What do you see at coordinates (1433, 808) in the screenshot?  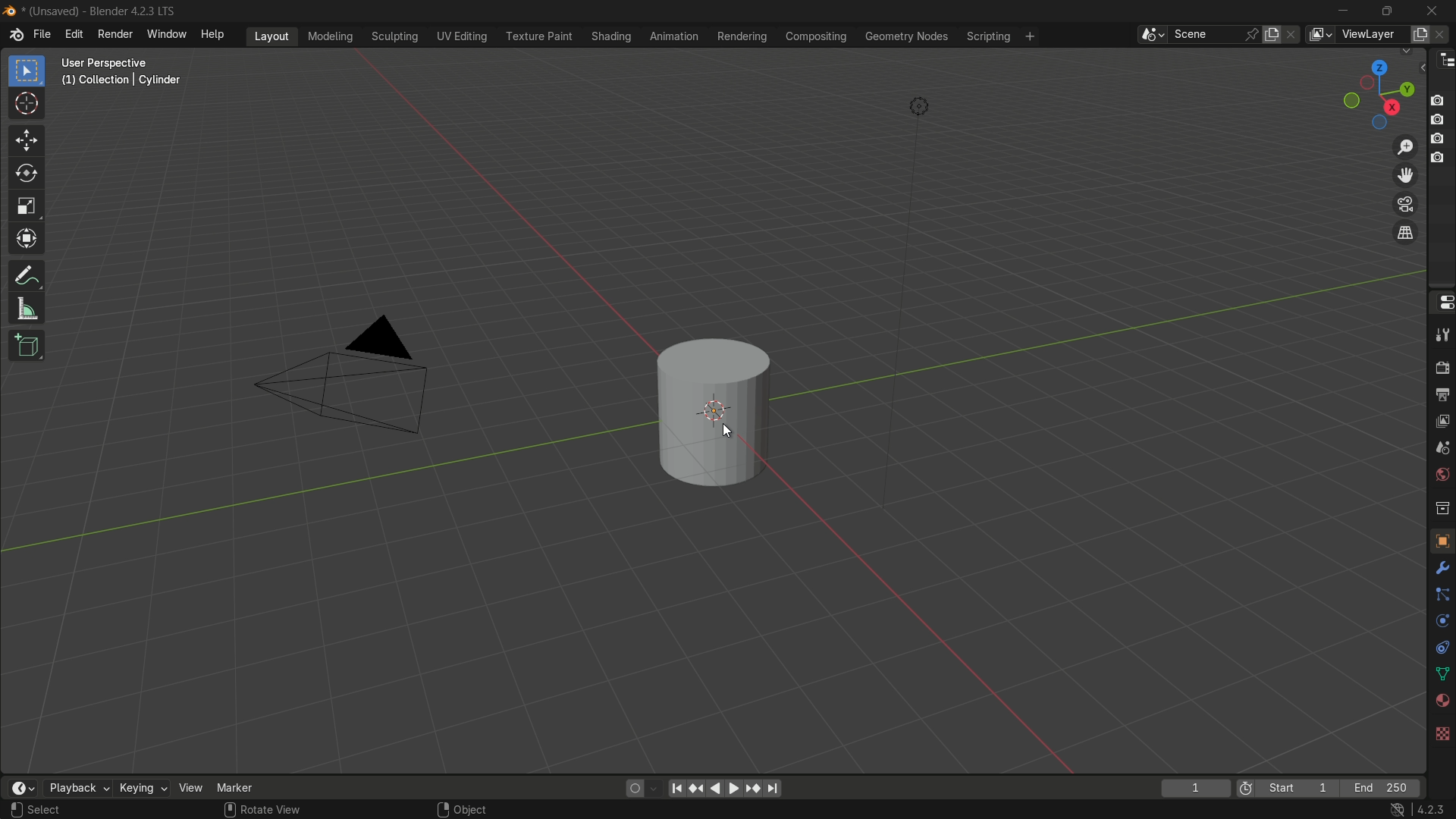 I see `4.2.3` at bounding box center [1433, 808].